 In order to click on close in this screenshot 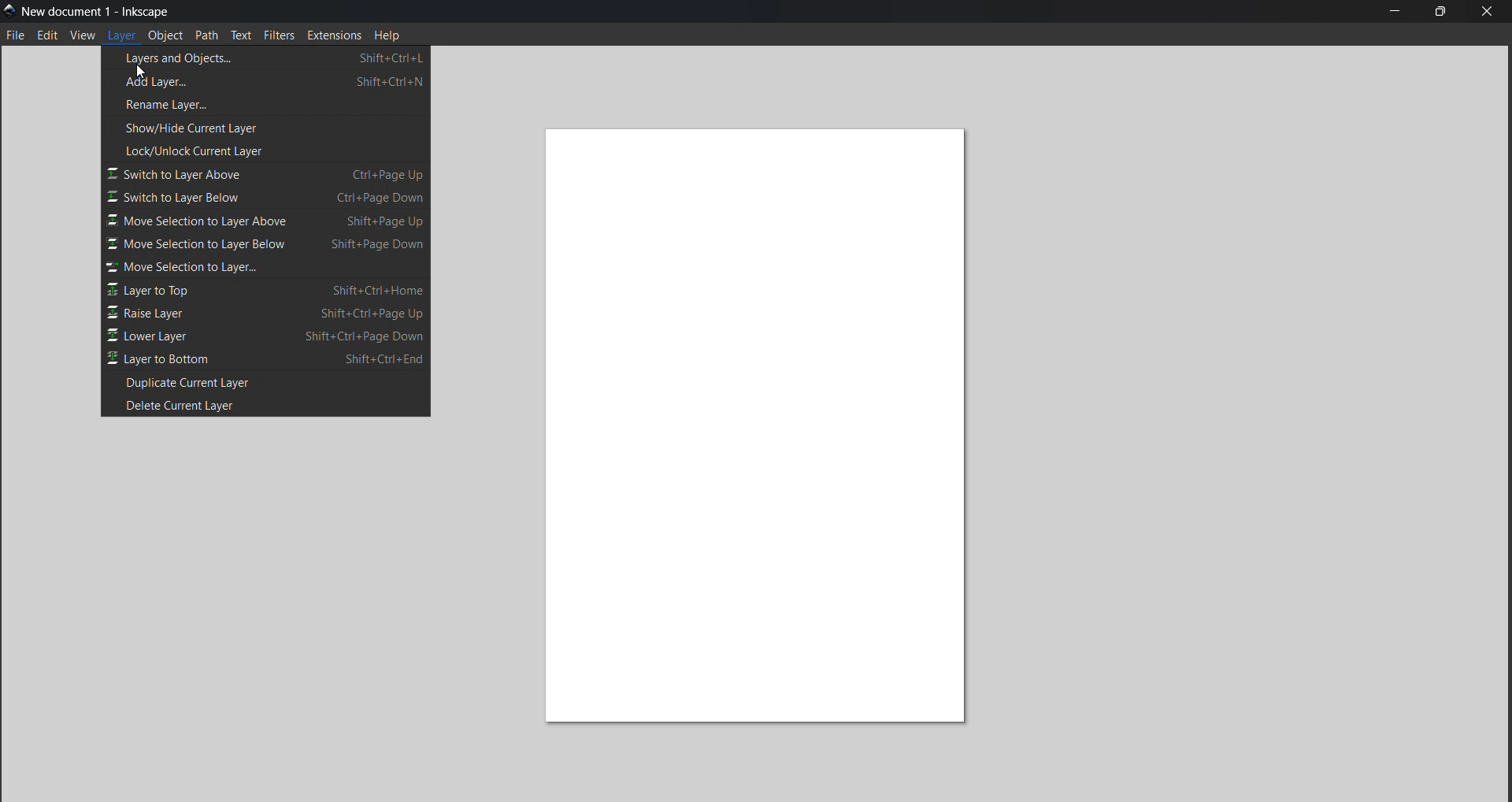, I will do `click(1494, 12)`.